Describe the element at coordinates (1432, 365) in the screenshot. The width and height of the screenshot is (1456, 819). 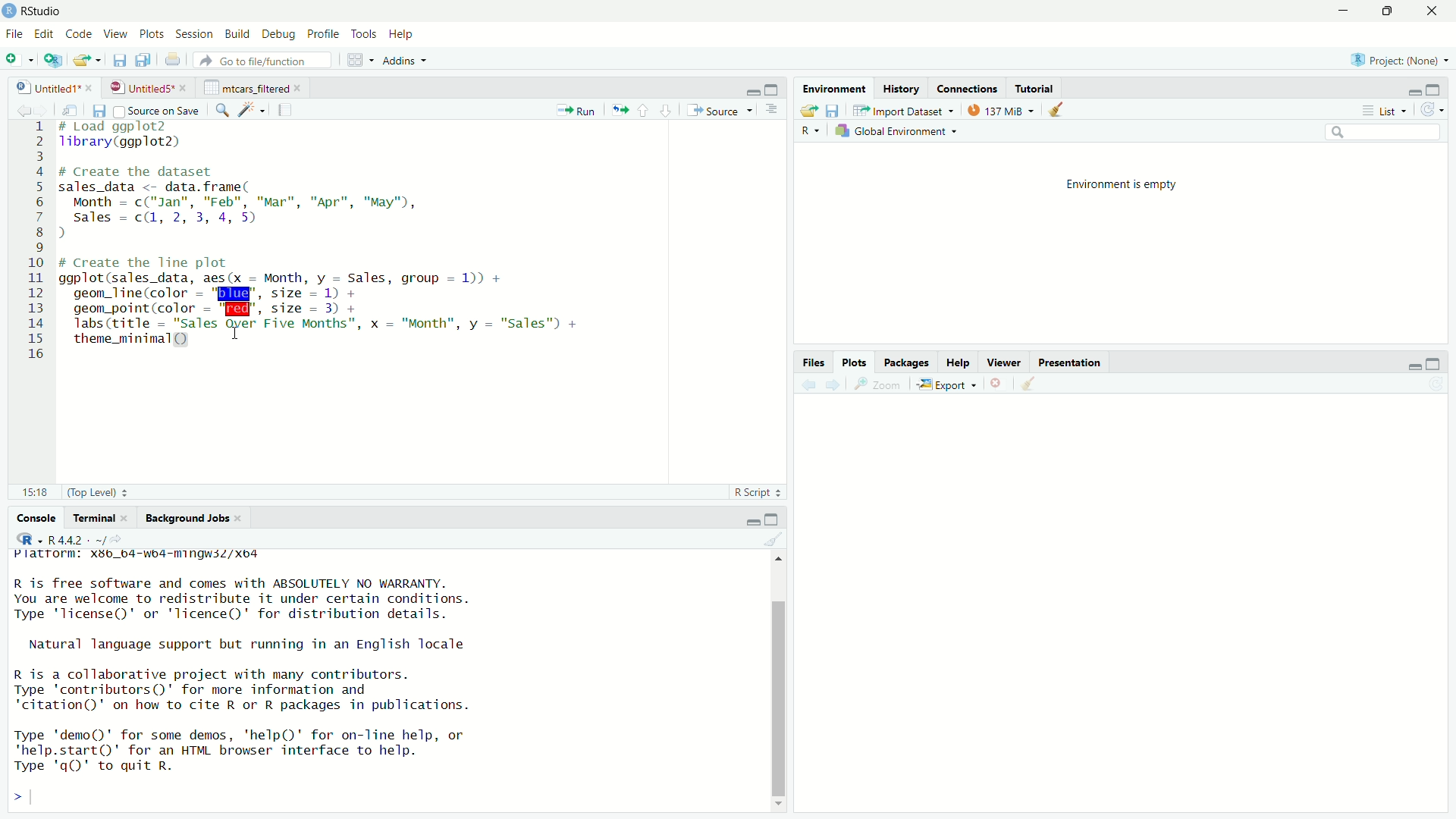
I see `maximize` at that location.